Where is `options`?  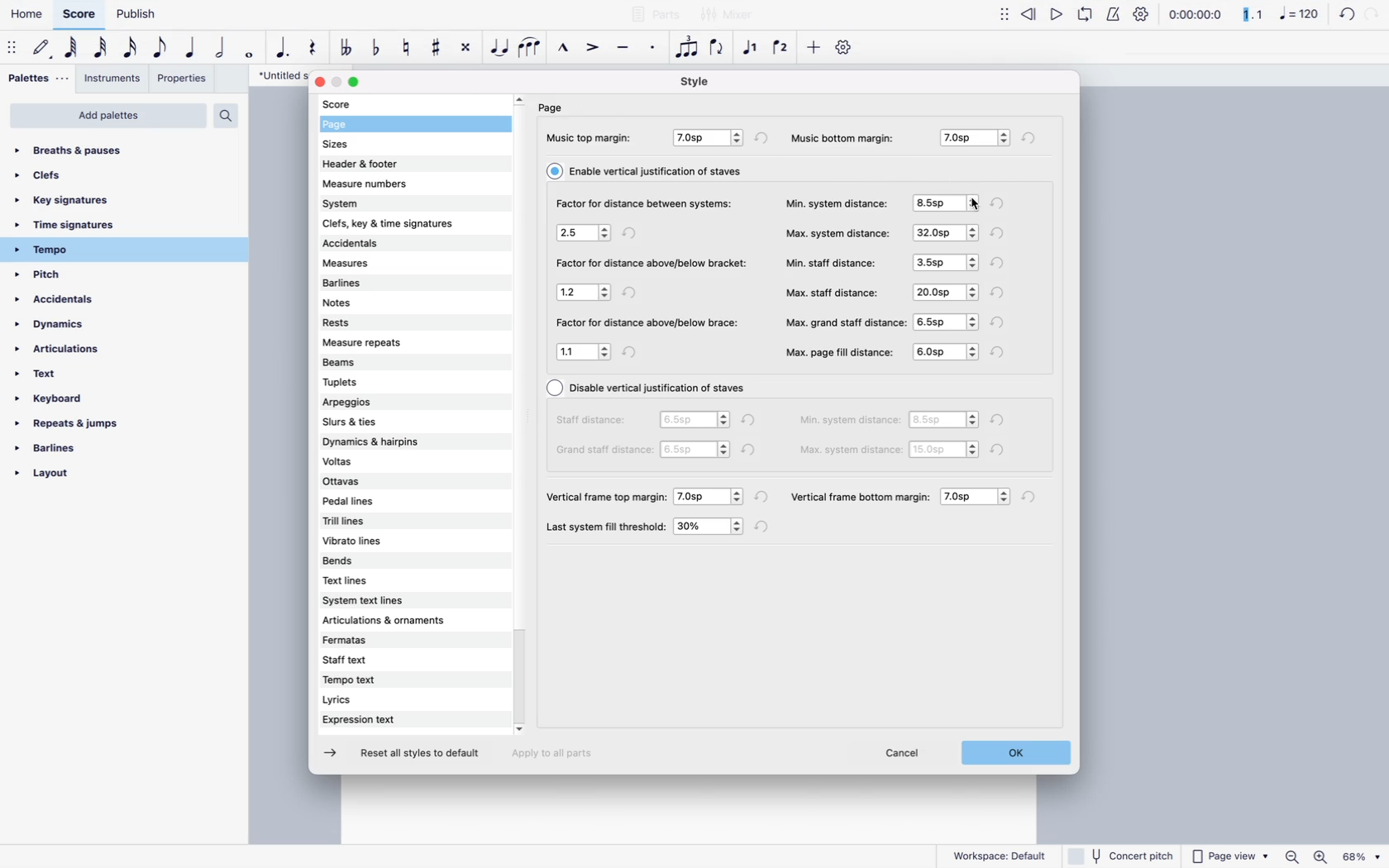 options is located at coordinates (710, 139).